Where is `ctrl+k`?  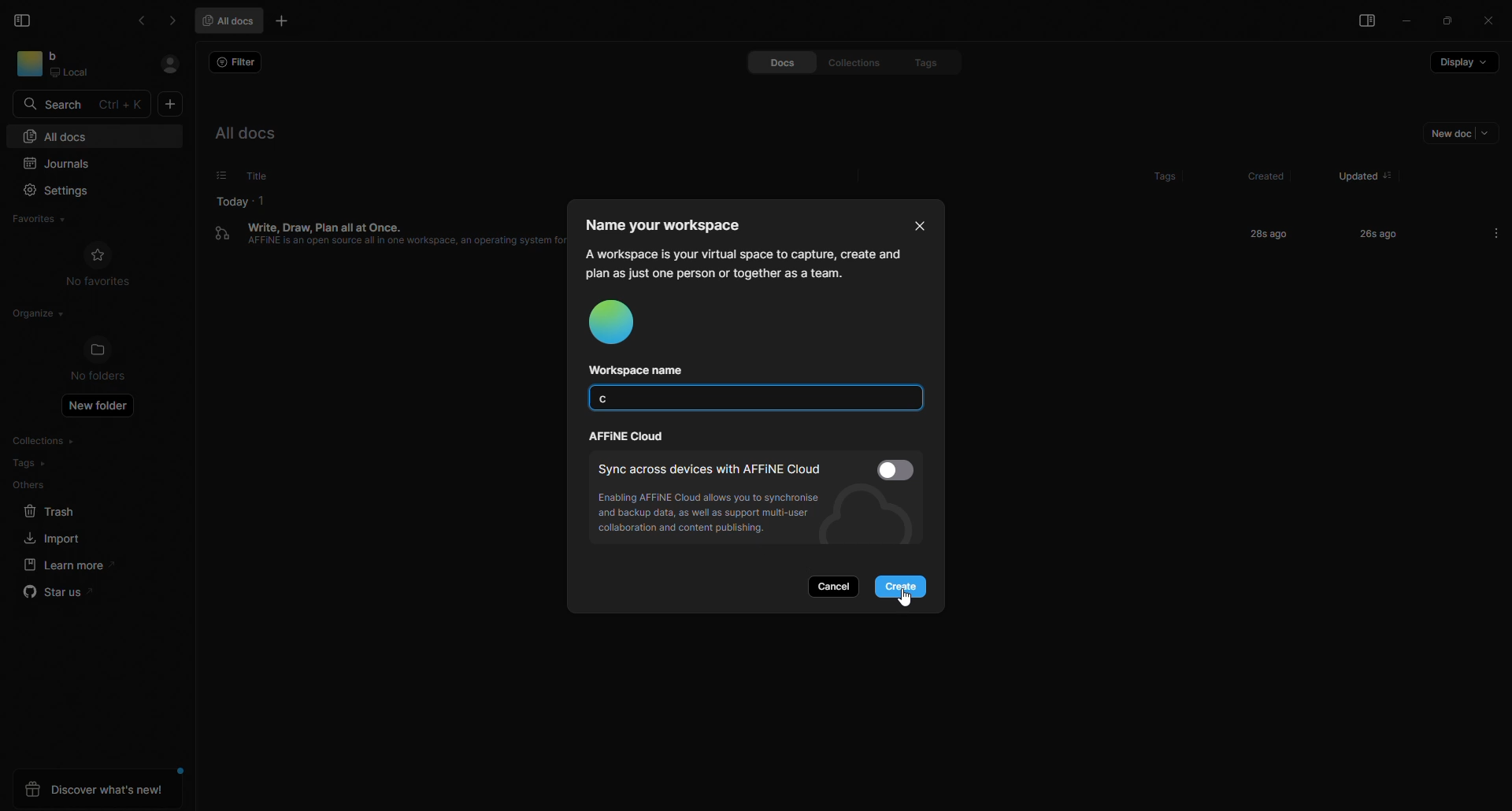
ctrl+k is located at coordinates (123, 104).